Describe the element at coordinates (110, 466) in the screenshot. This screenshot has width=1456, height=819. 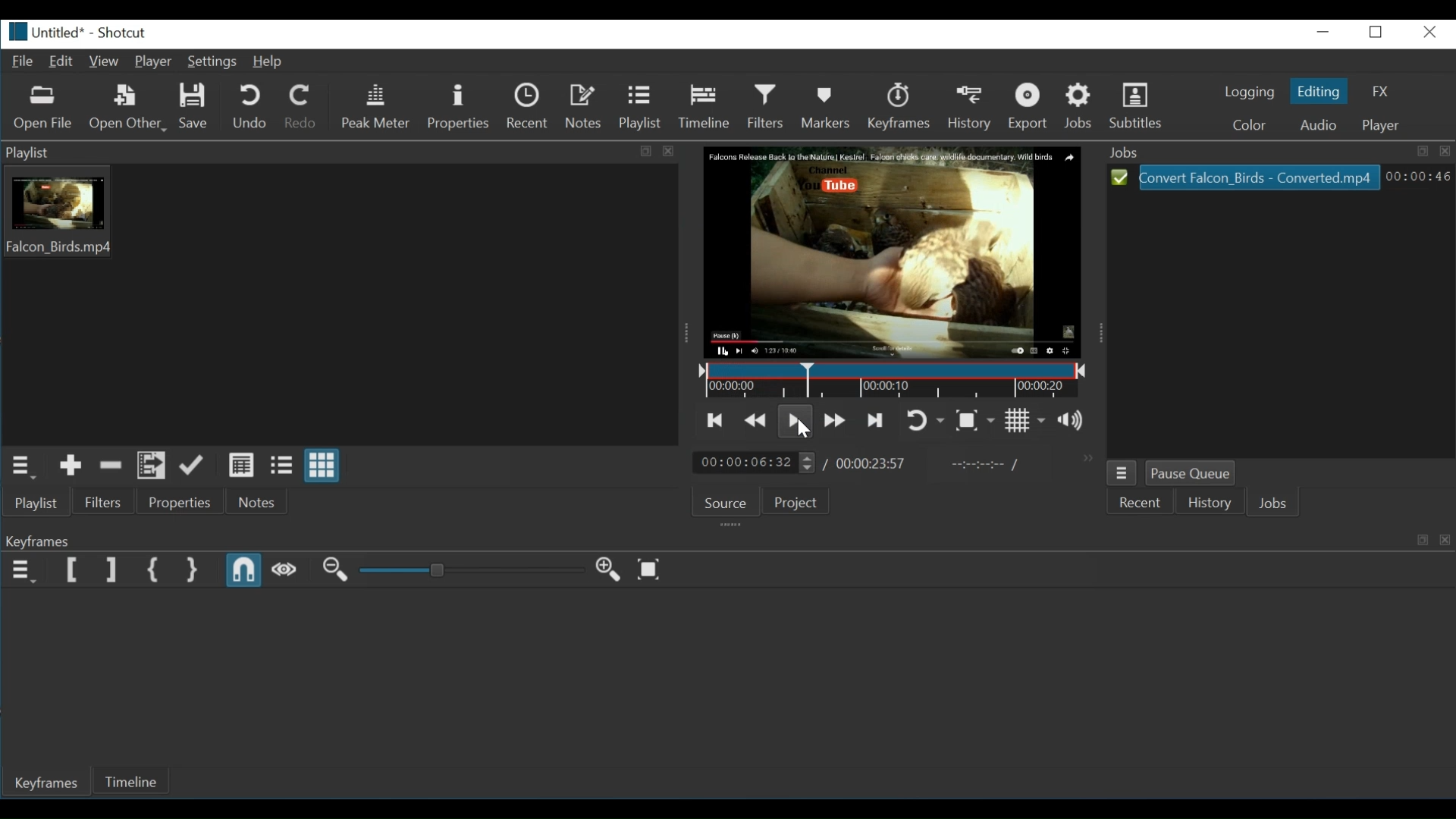
I see `Remove cut` at that location.